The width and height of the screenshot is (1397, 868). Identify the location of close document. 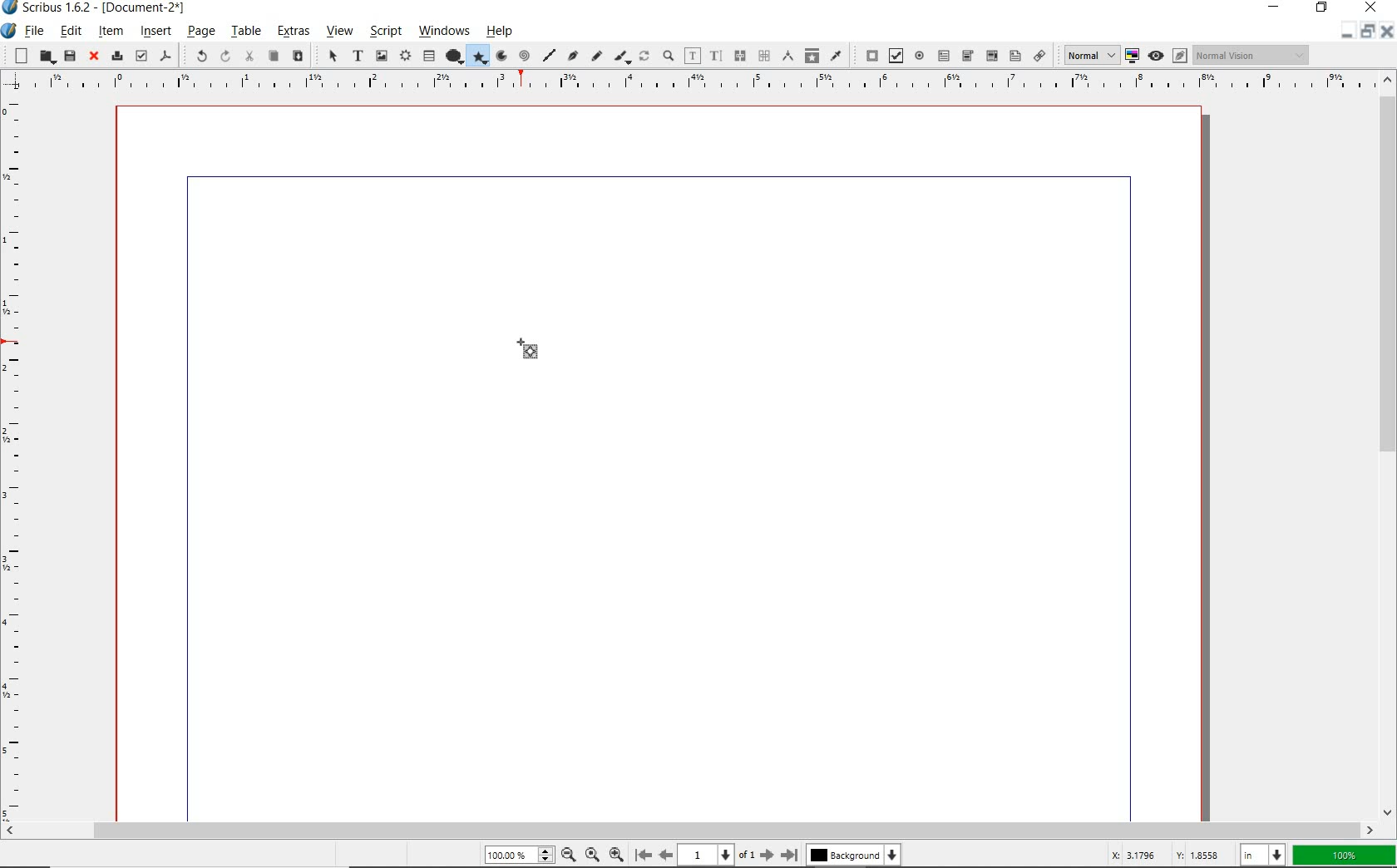
(1385, 31).